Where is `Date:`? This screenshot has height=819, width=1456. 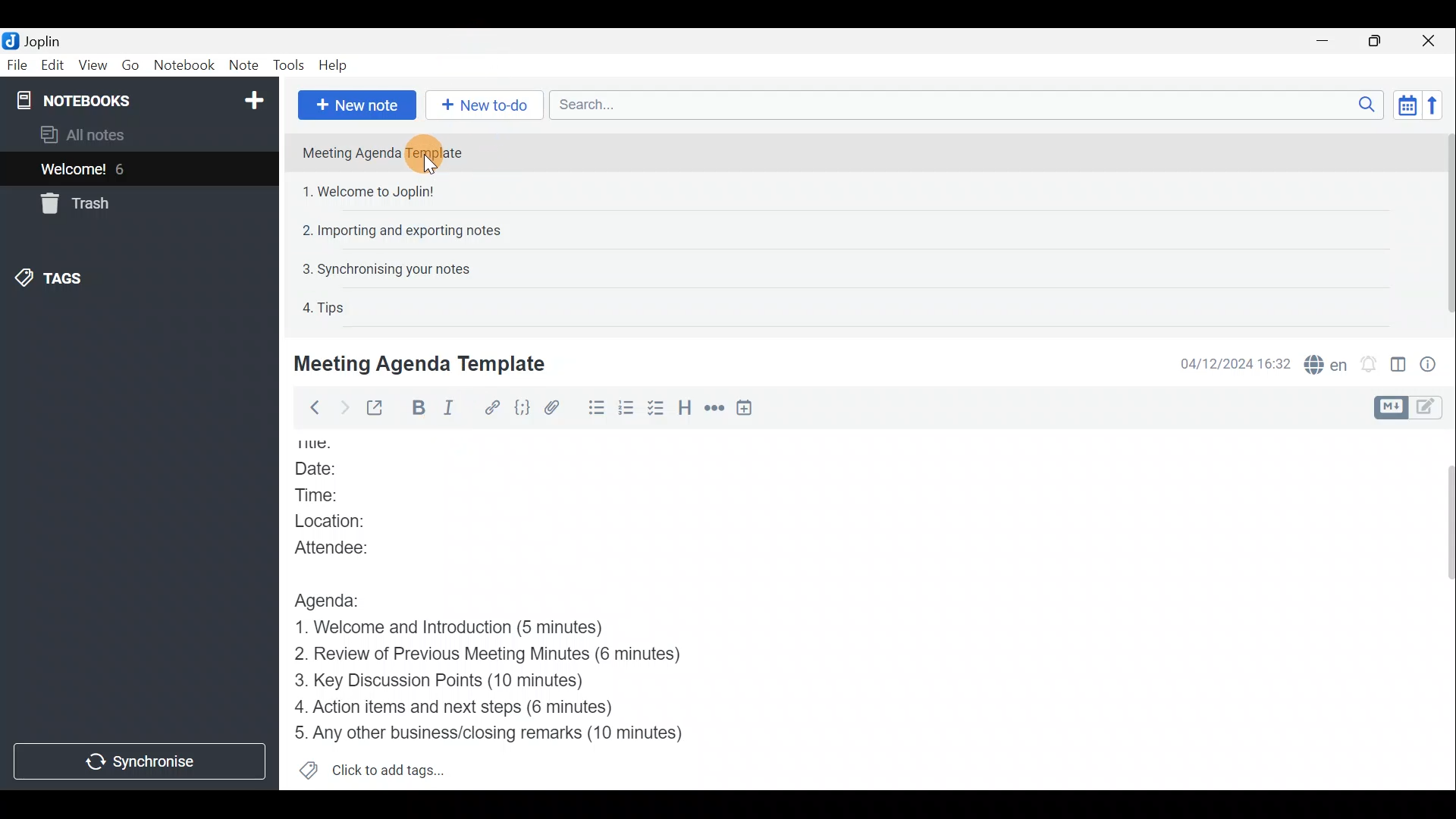 Date: is located at coordinates (334, 470).